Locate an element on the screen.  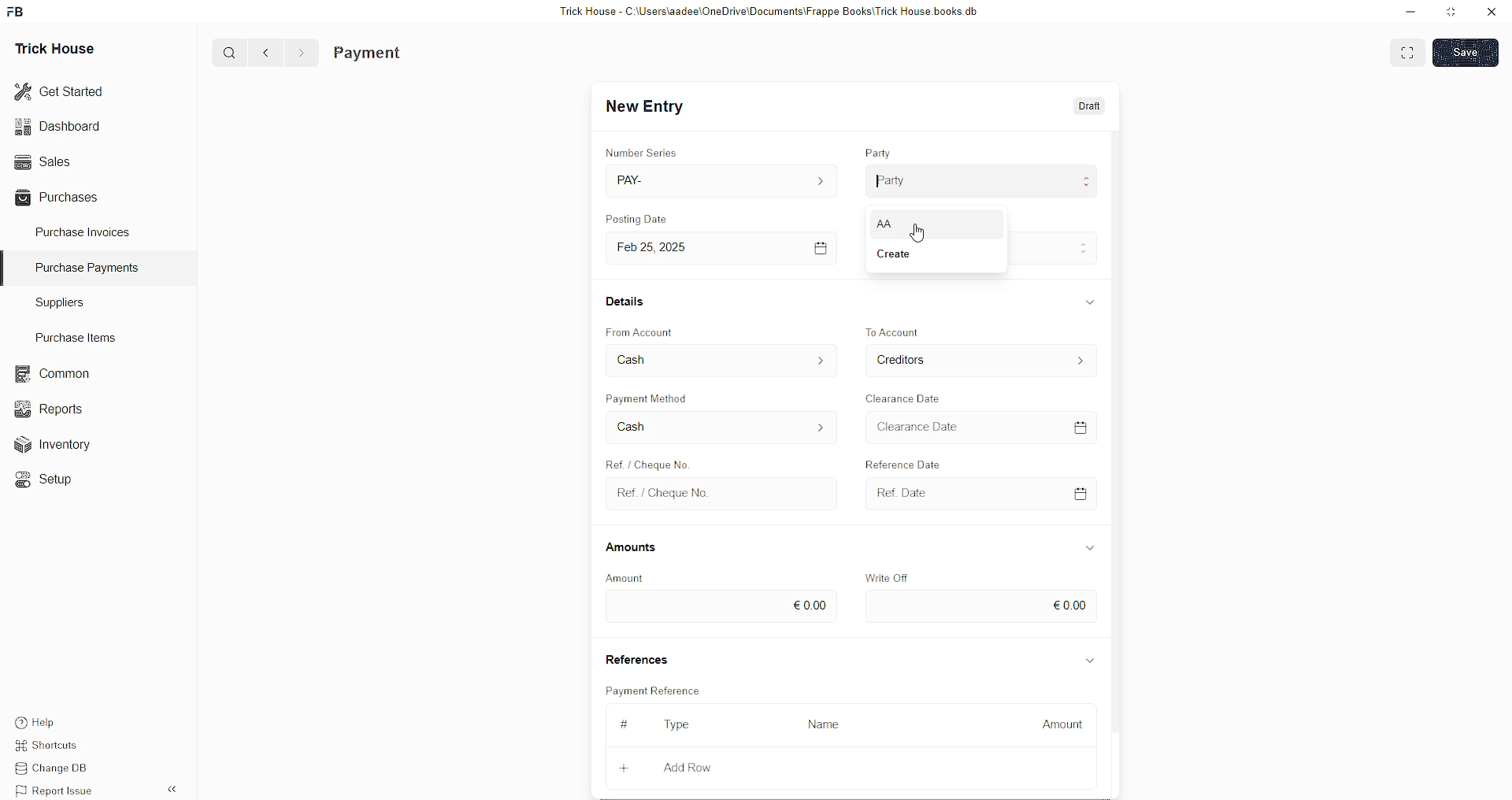
= is located at coordinates (1084, 425).